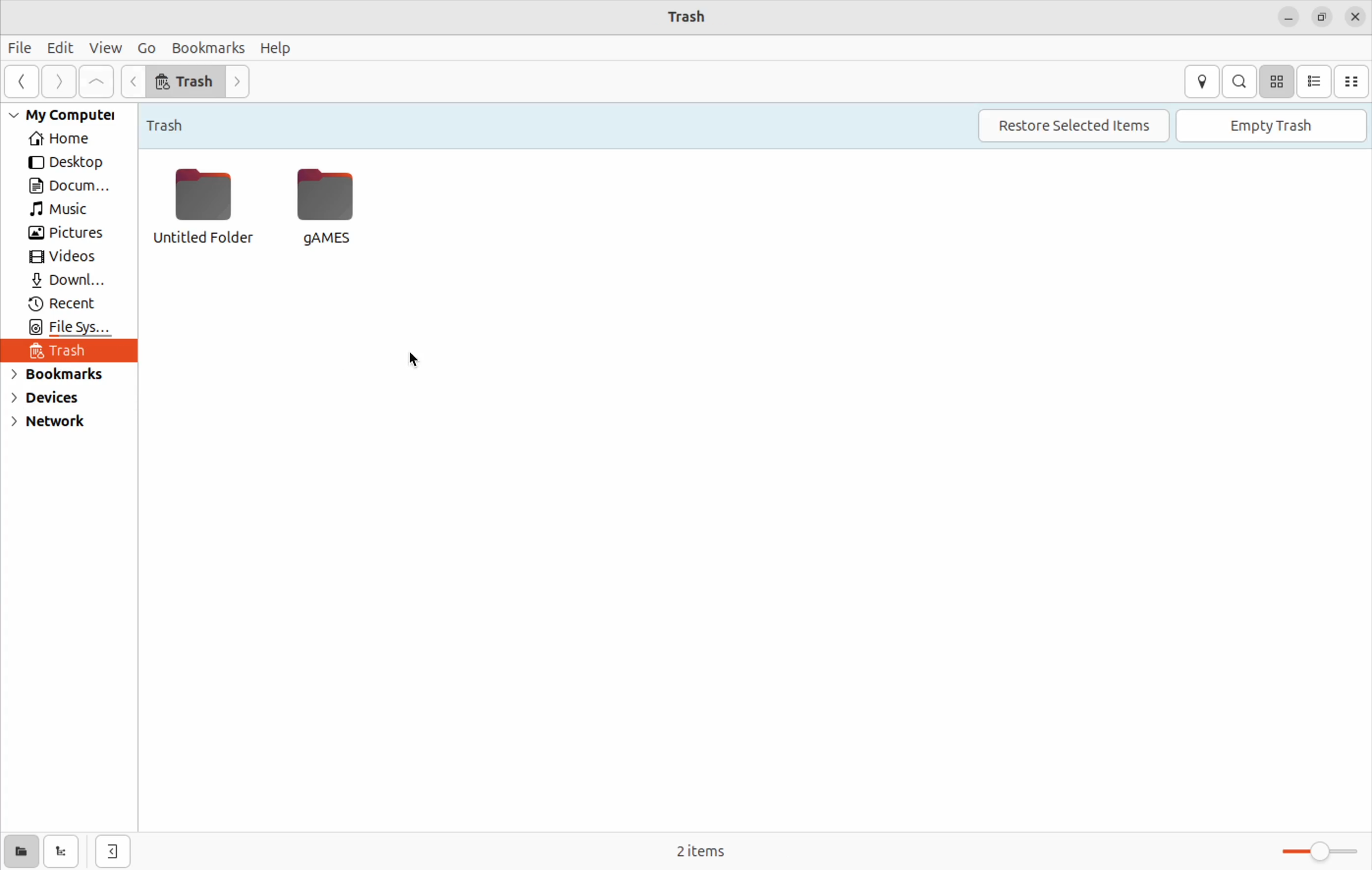  What do you see at coordinates (60, 400) in the screenshot?
I see `devices` at bounding box center [60, 400].